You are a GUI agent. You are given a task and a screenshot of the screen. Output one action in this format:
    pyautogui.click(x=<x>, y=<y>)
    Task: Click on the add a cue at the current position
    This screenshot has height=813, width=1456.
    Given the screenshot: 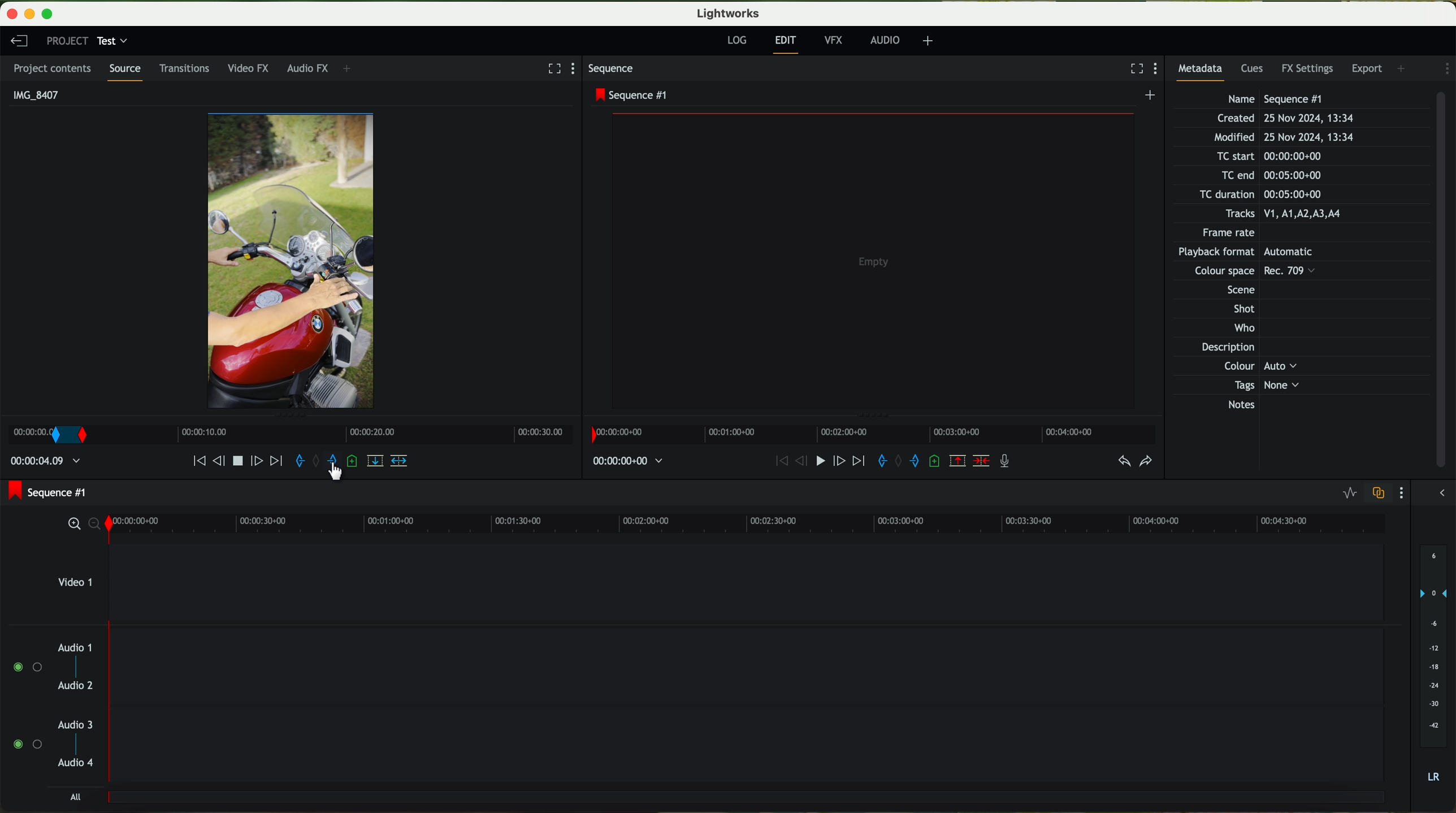 What is the action you would take?
    pyautogui.click(x=353, y=462)
    